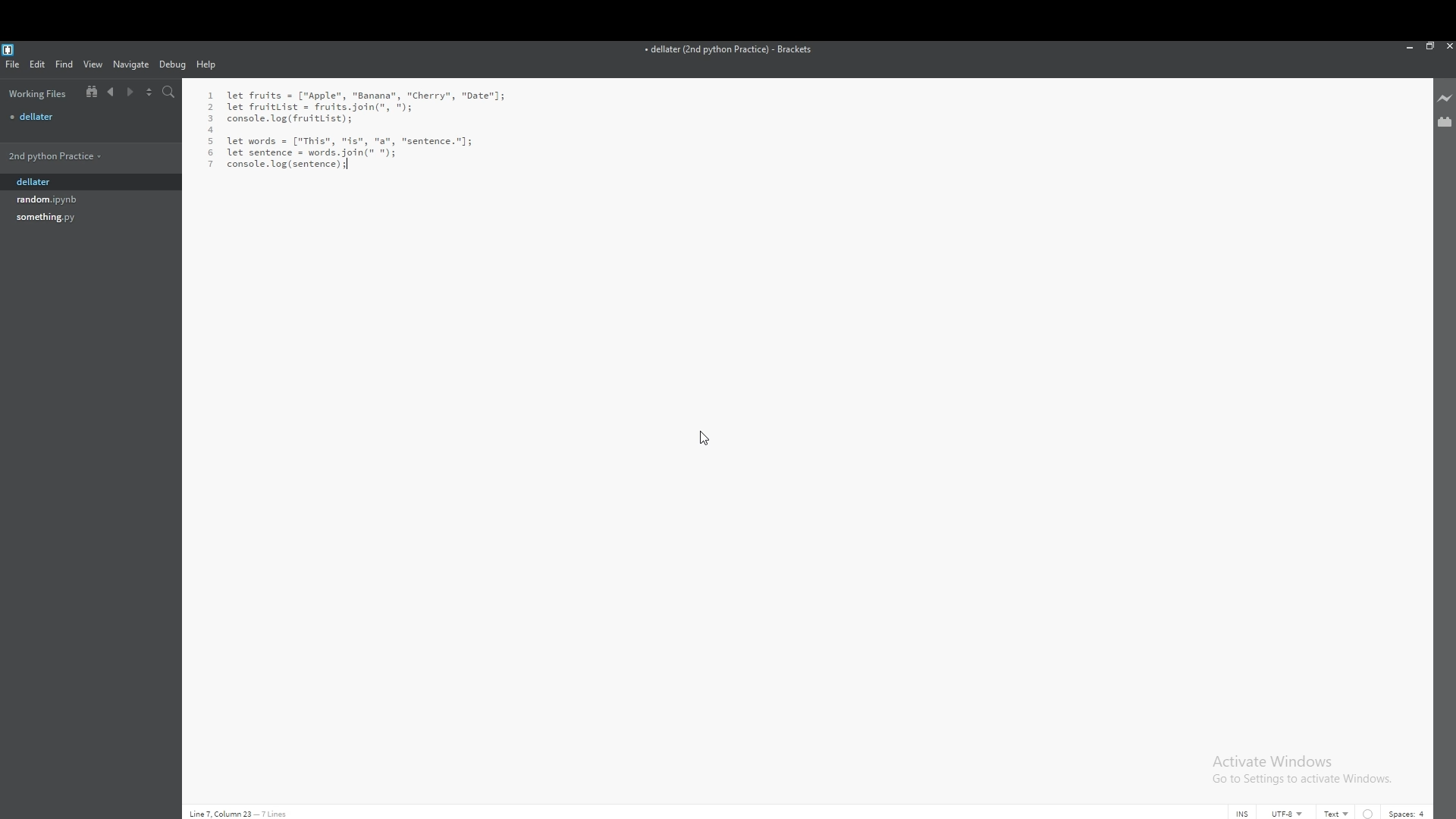 The image size is (1456, 819). Describe the element at coordinates (11, 49) in the screenshot. I see `bracket` at that location.